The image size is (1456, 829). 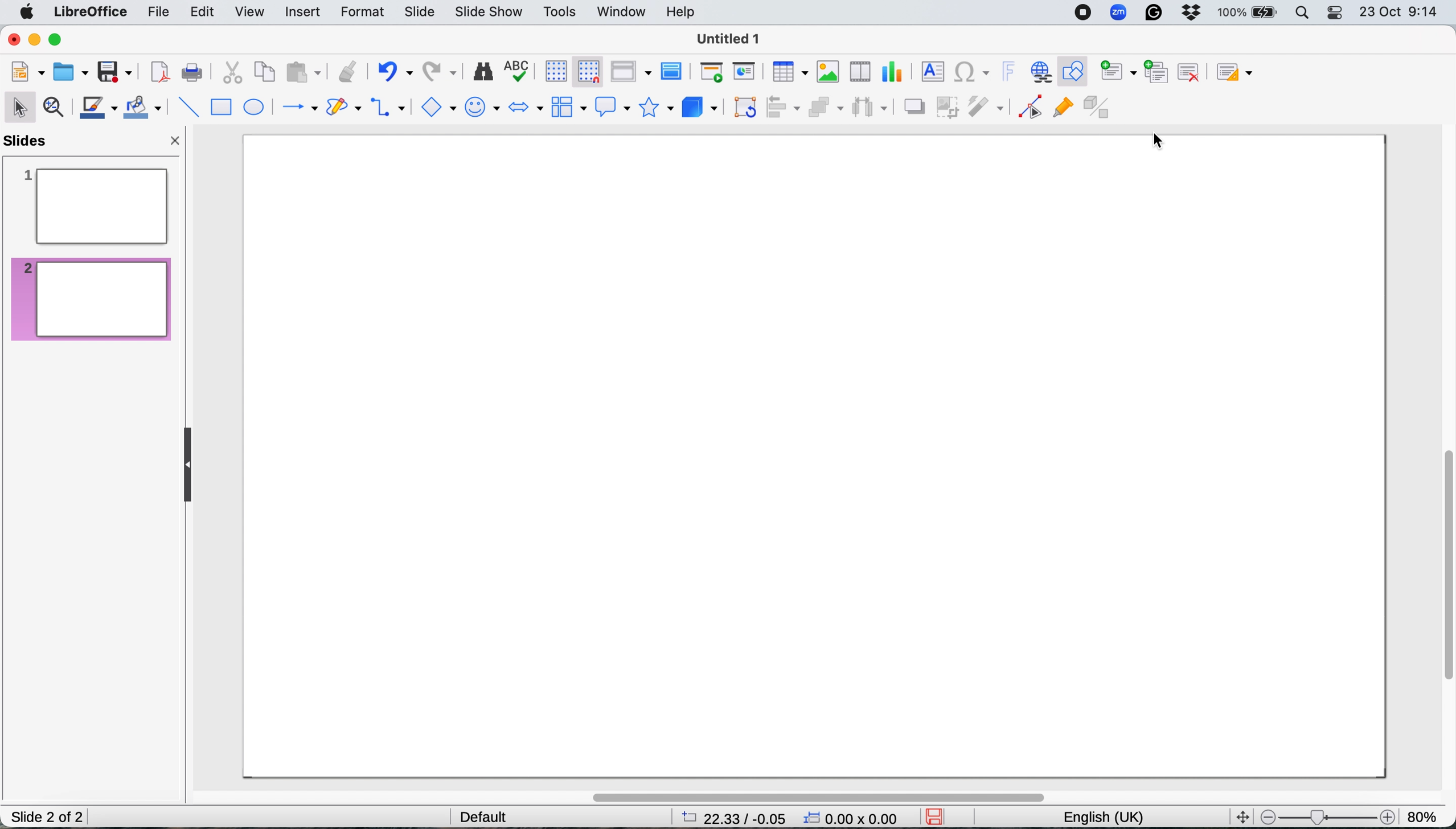 What do you see at coordinates (156, 13) in the screenshot?
I see `file` at bounding box center [156, 13].